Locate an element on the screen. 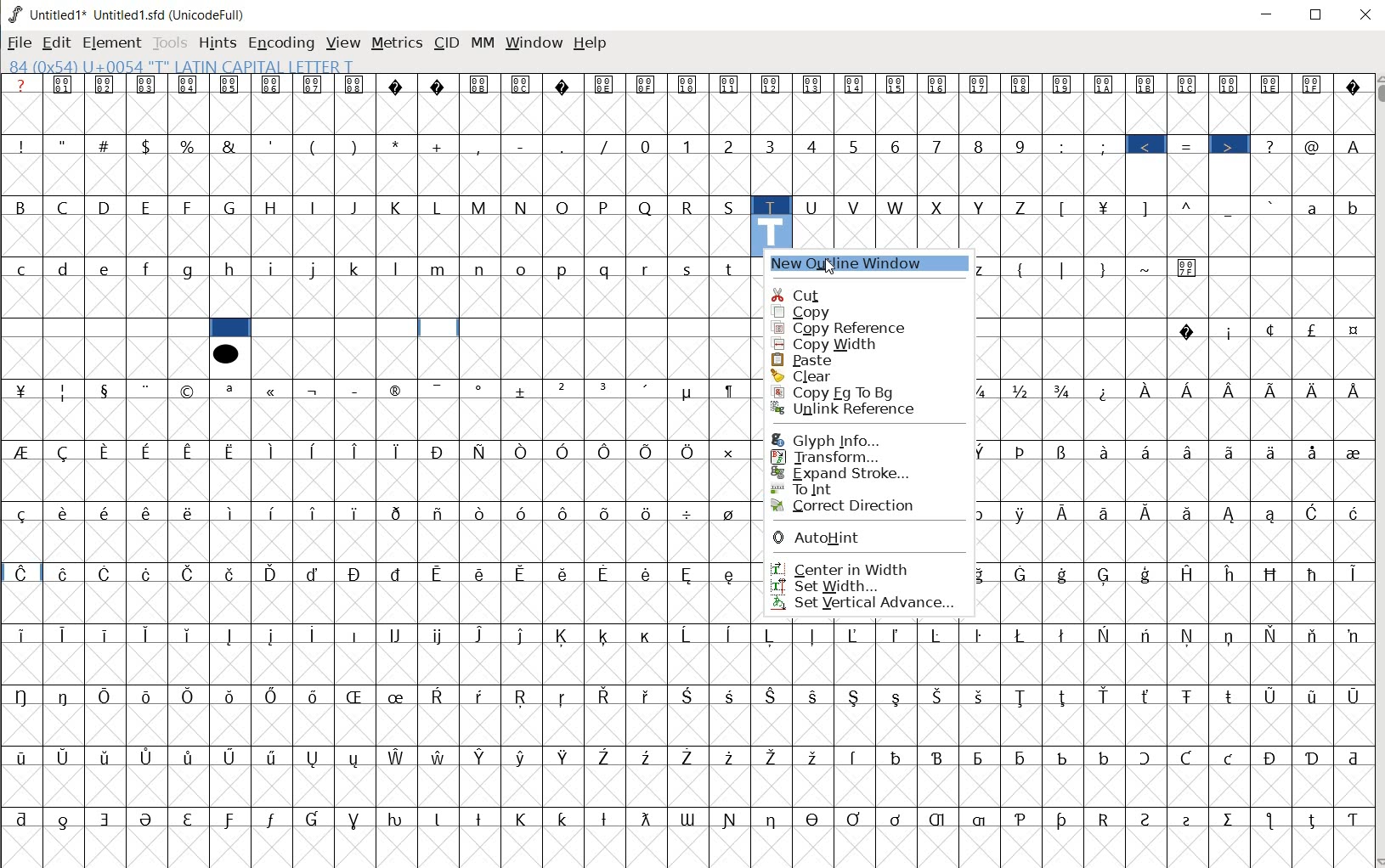 Image resolution: width=1385 pixels, height=868 pixels. Symbol is located at coordinates (316, 389).